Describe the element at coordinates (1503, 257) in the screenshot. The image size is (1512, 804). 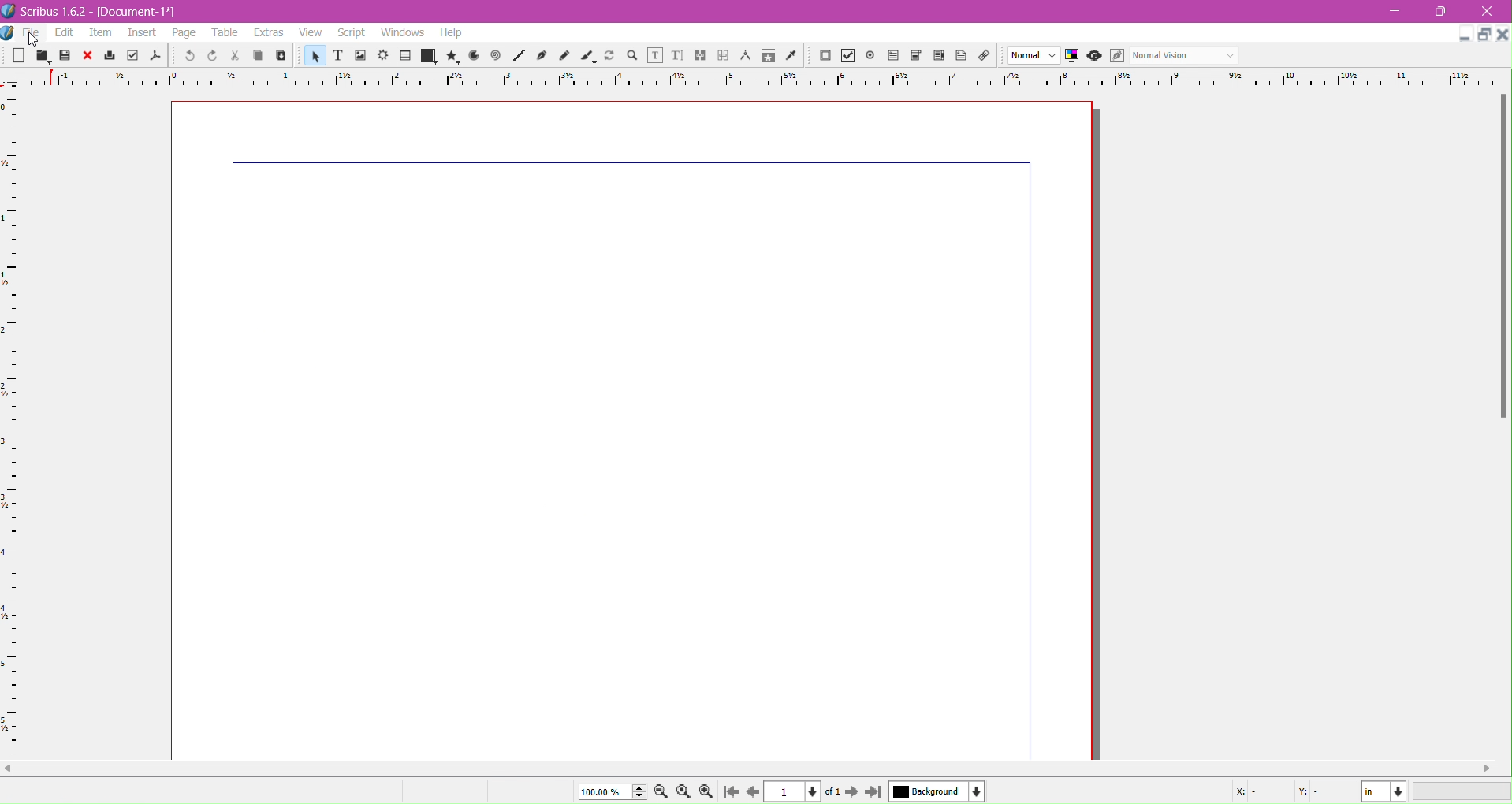
I see `scroll bar` at that location.